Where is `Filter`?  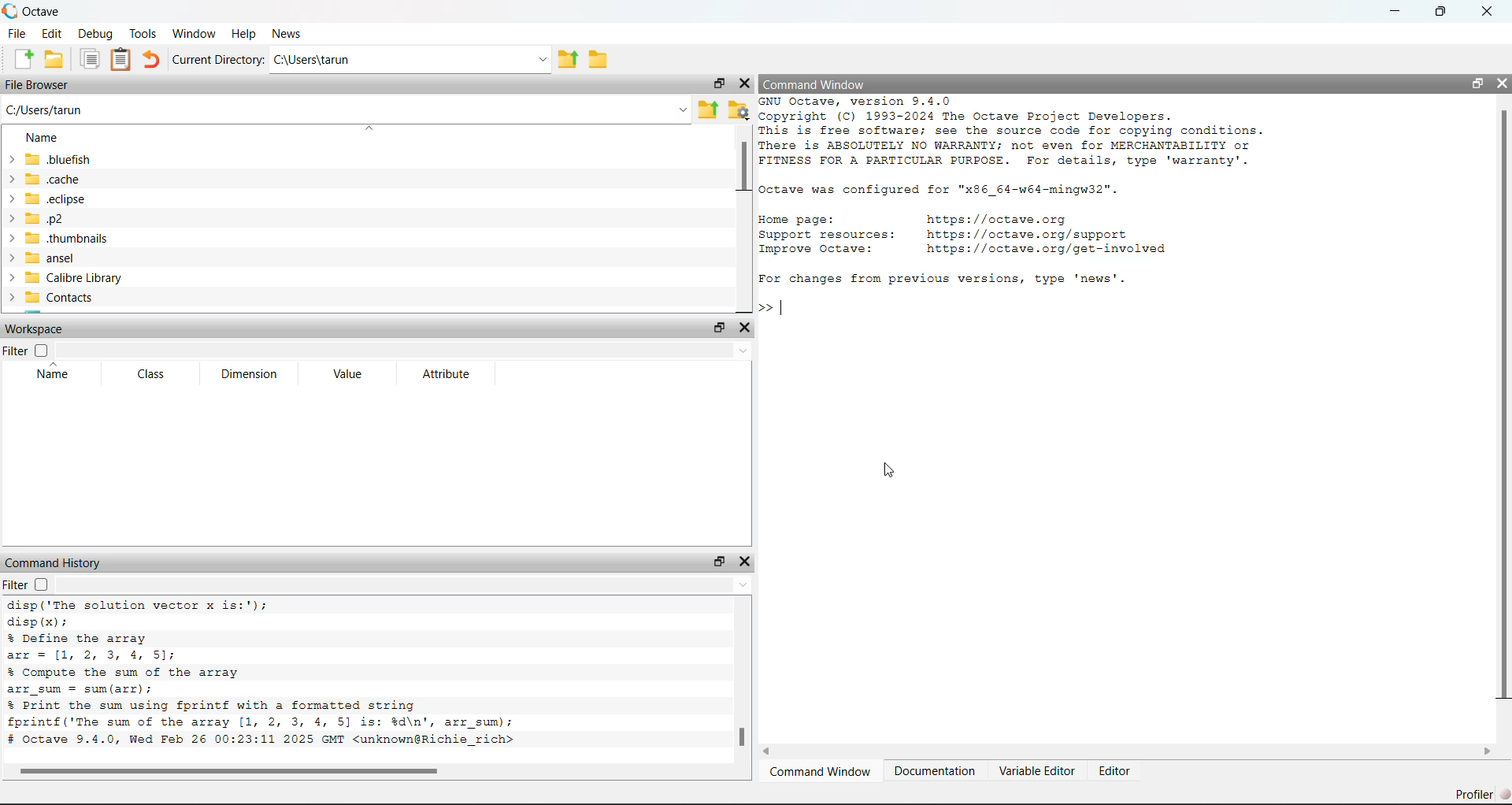
Filter is located at coordinates (16, 584).